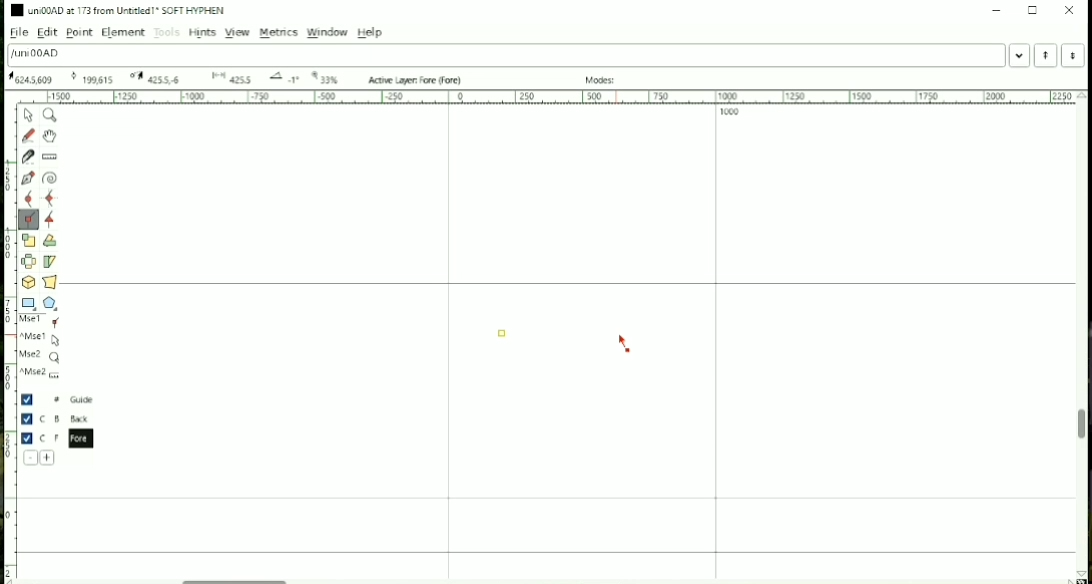 The width and height of the screenshot is (1092, 584). What do you see at coordinates (504, 333) in the screenshot?
I see `Point` at bounding box center [504, 333].